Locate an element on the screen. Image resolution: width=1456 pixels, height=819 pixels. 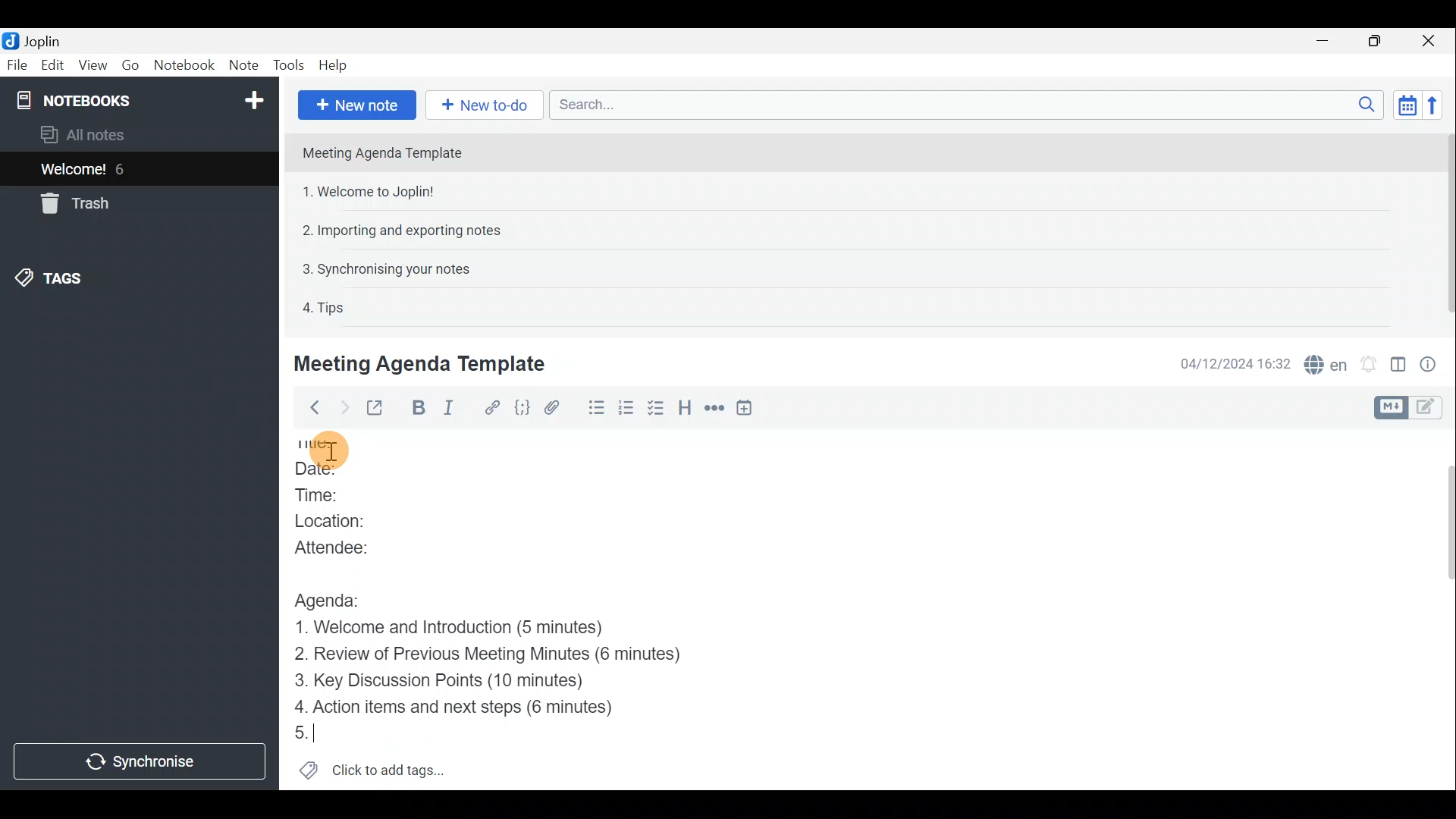
Minimise is located at coordinates (1325, 40).